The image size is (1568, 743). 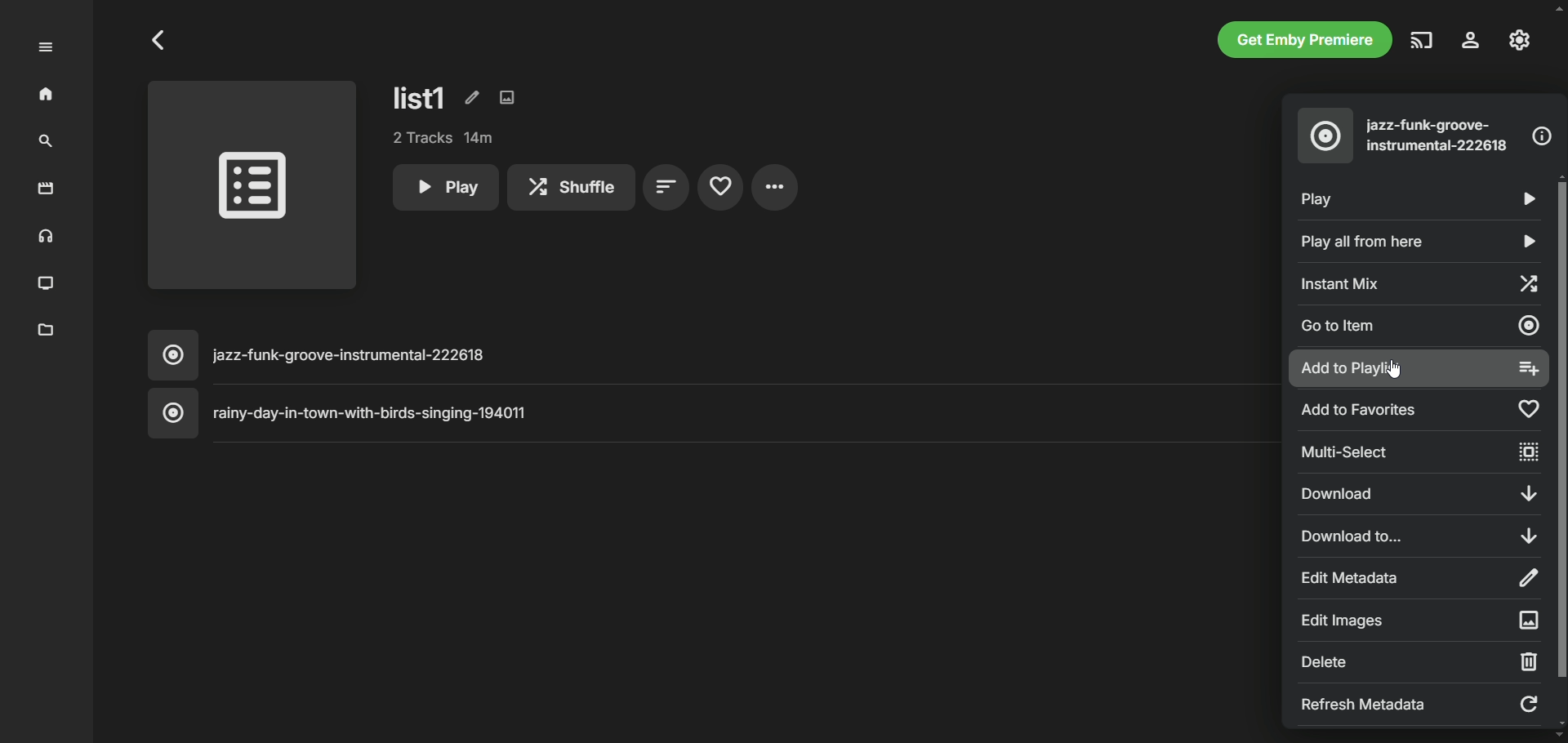 What do you see at coordinates (1419, 578) in the screenshot?
I see `edit metadata` at bounding box center [1419, 578].